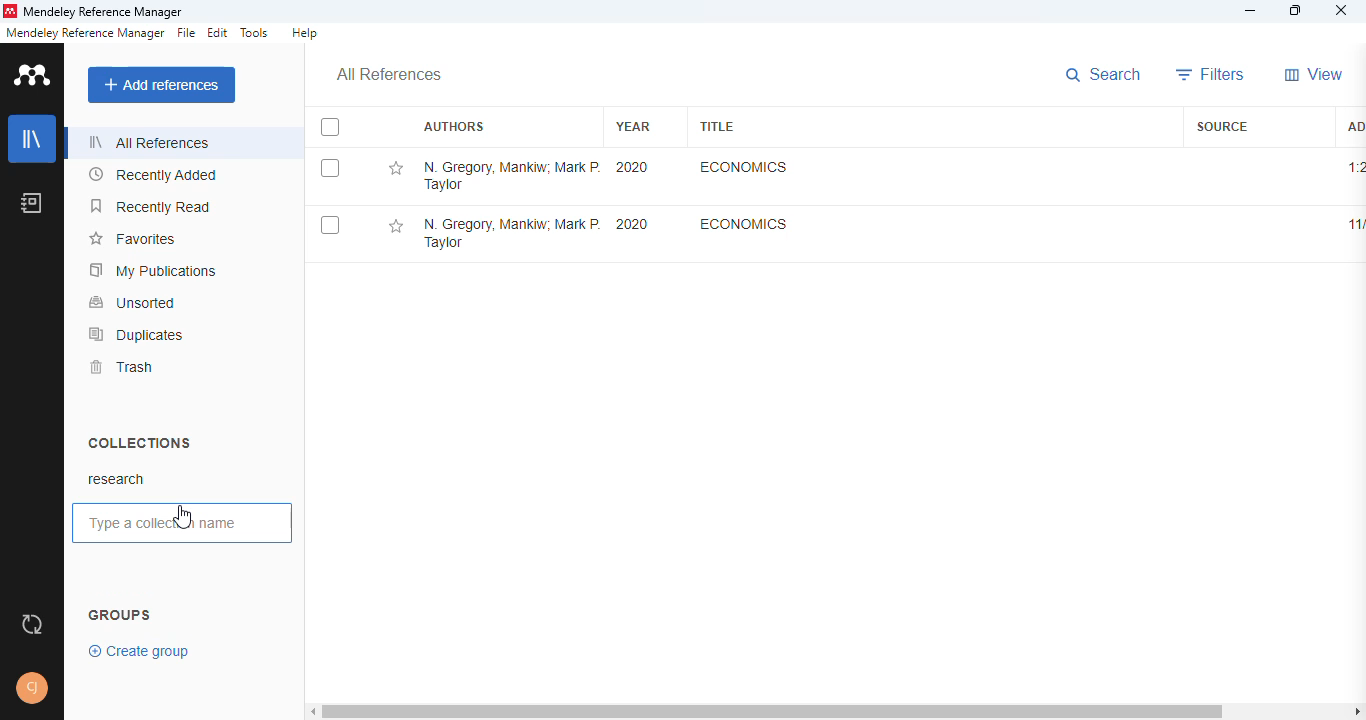  Describe the element at coordinates (330, 168) in the screenshot. I see `select` at that location.